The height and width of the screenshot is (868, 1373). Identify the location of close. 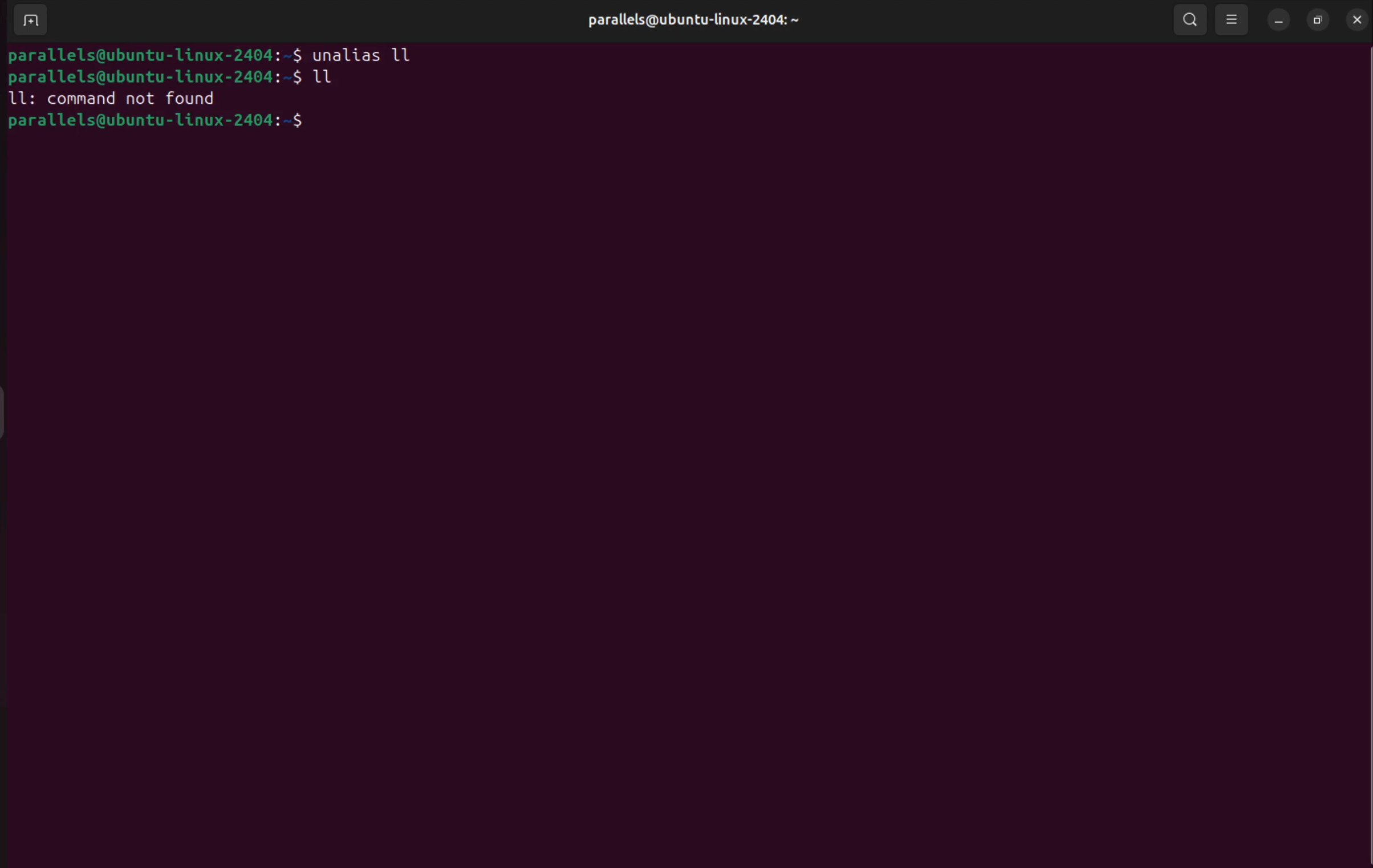
(1354, 18).